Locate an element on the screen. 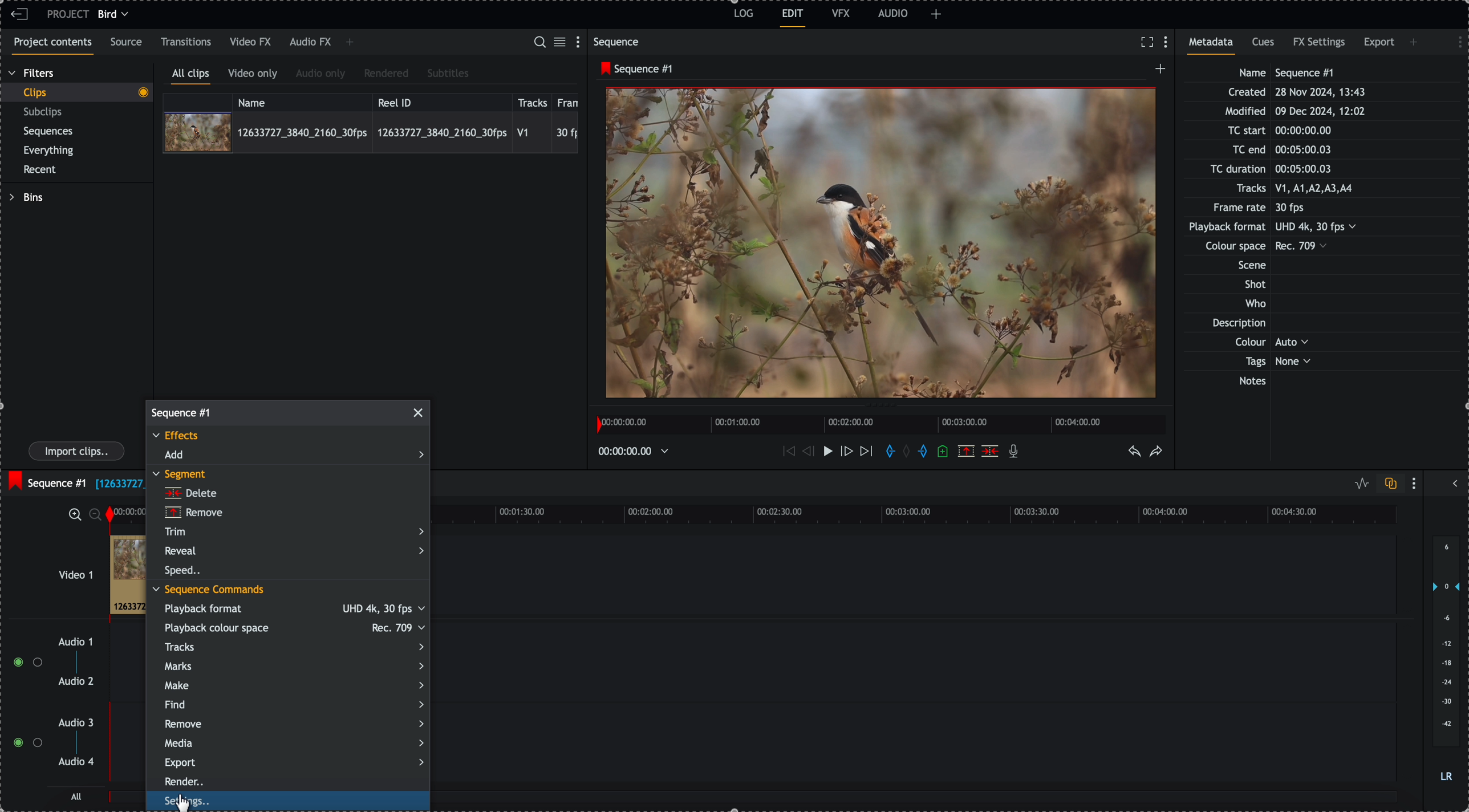  all clips is located at coordinates (191, 76).